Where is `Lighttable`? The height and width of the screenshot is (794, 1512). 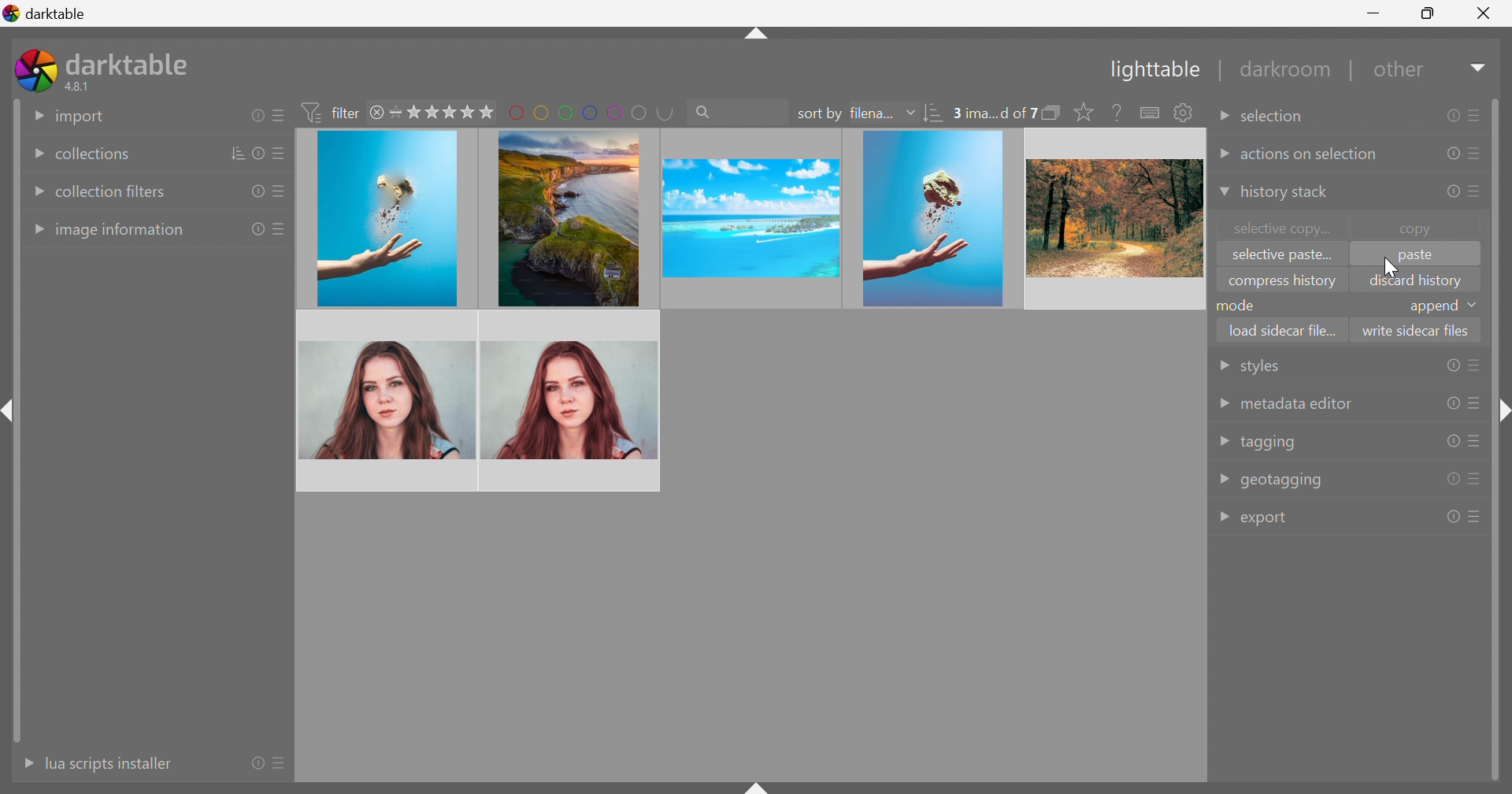
Lighttable is located at coordinates (1151, 72).